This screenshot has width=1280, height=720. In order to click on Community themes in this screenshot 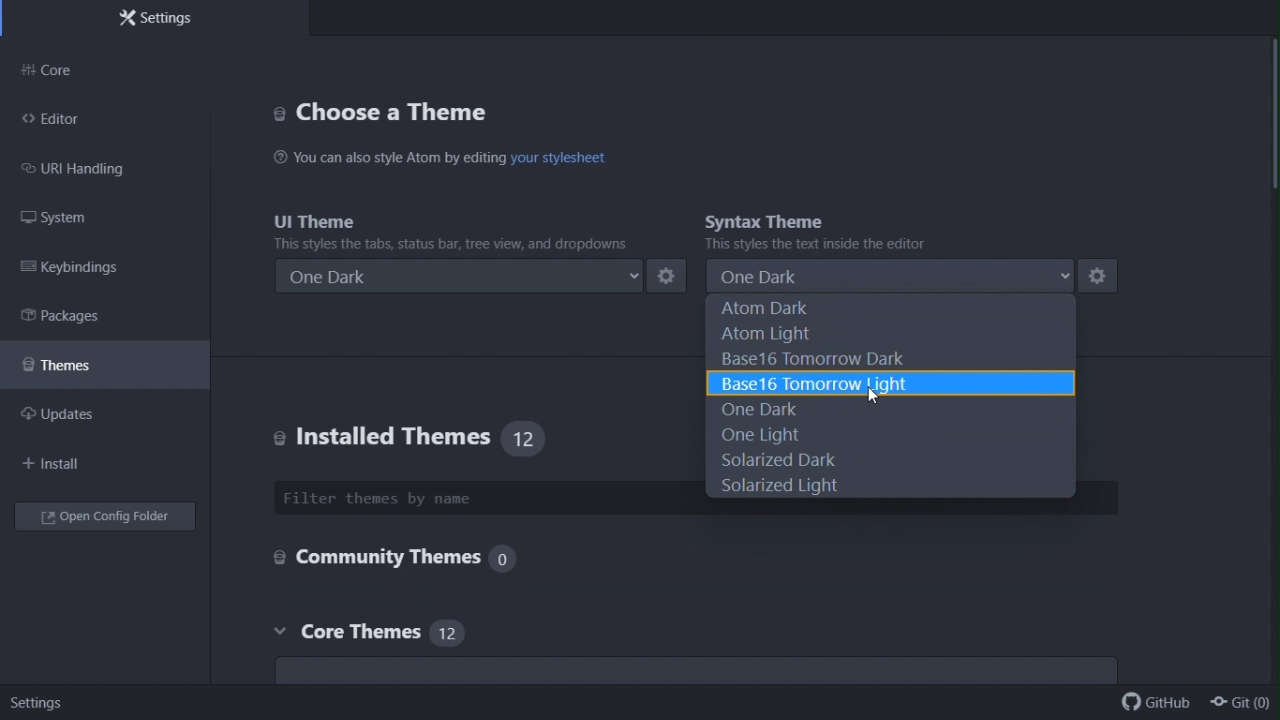, I will do `click(391, 555)`.